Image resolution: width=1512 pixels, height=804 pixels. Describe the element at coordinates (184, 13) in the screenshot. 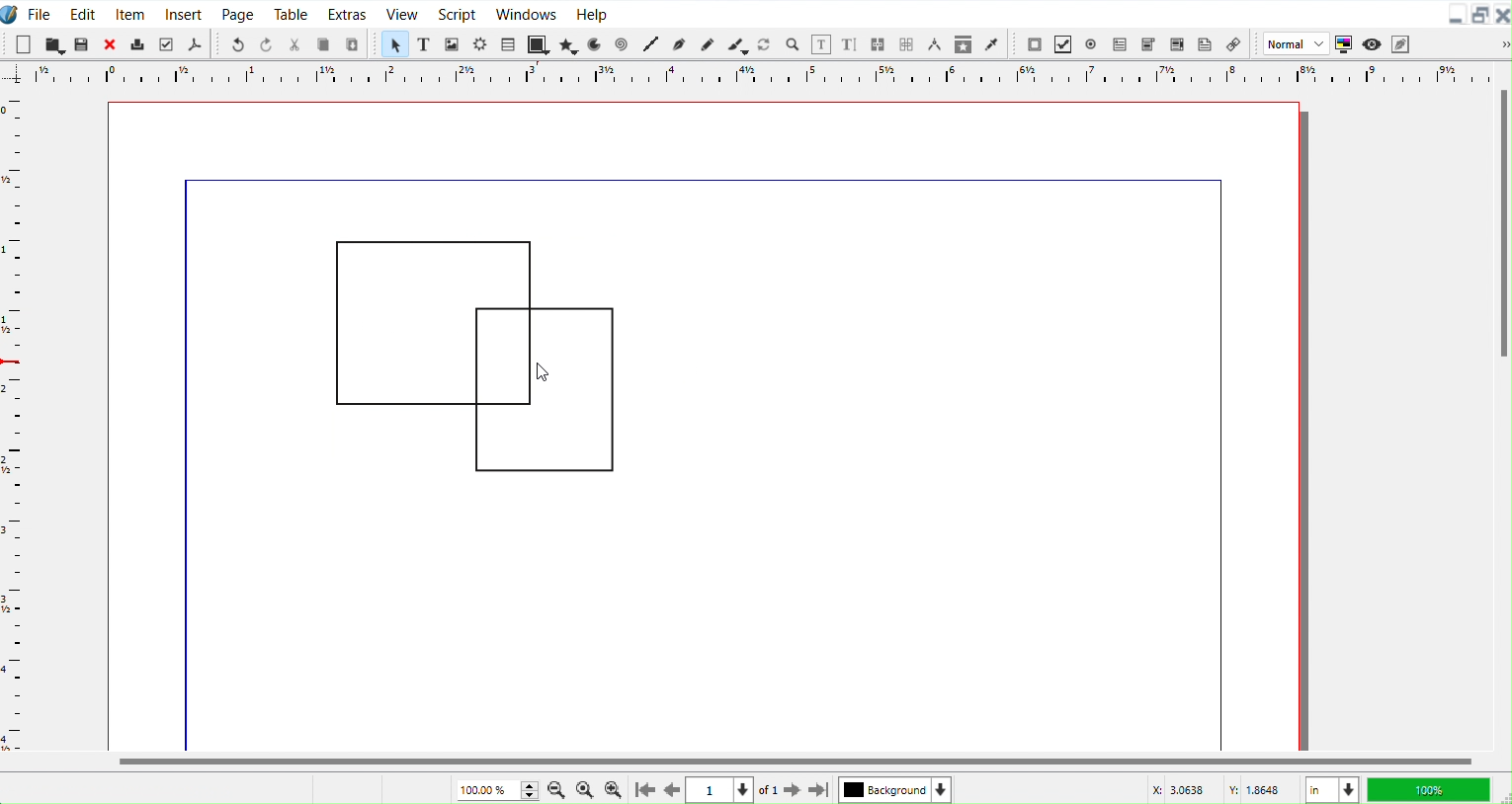

I see `Insert` at that location.